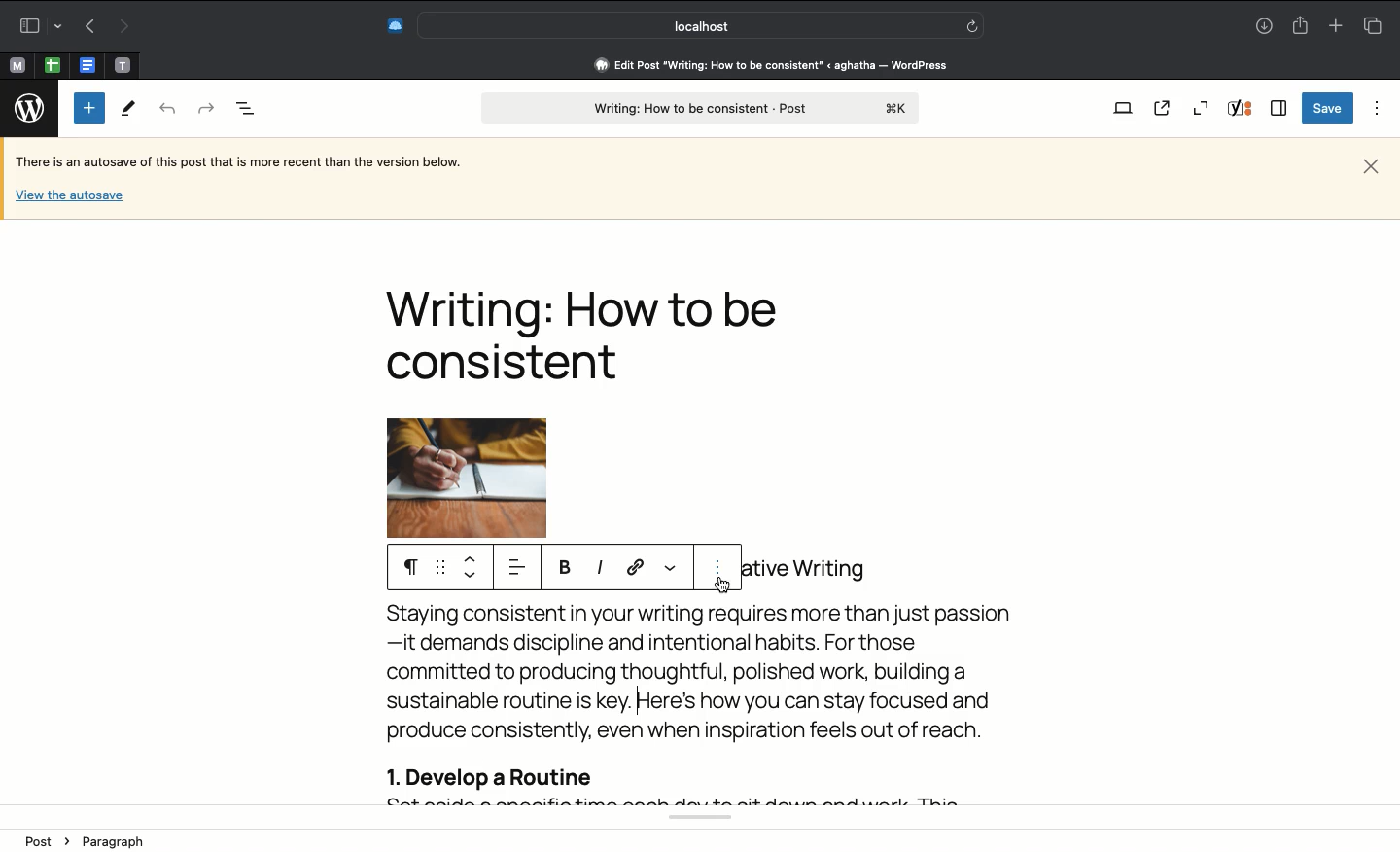  I want to click on Options, so click(720, 571).